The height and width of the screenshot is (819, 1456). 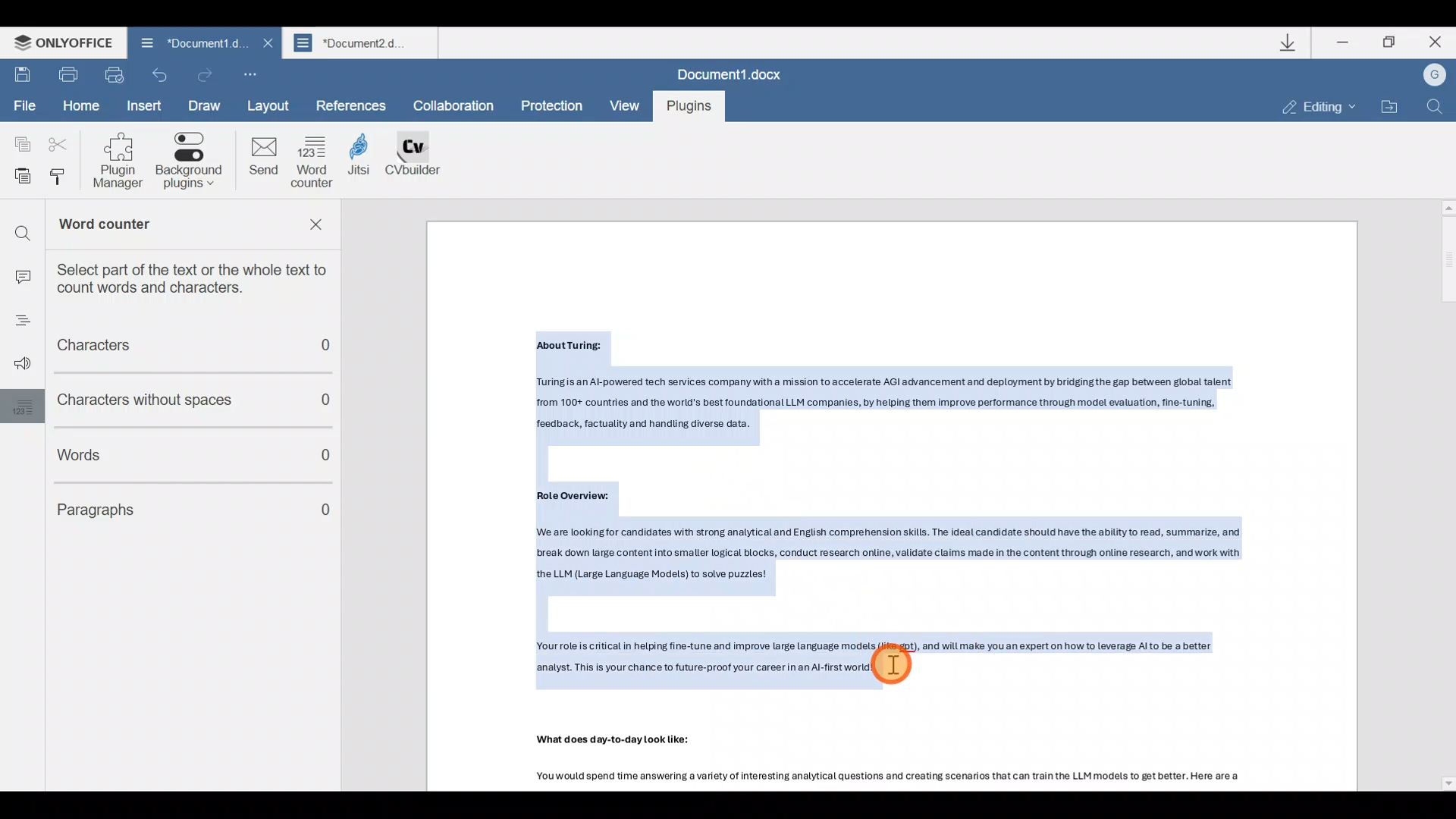 What do you see at coordinates (314, 162) in the screenshot?
I see `Word counter` at bounding box center [314, 162].